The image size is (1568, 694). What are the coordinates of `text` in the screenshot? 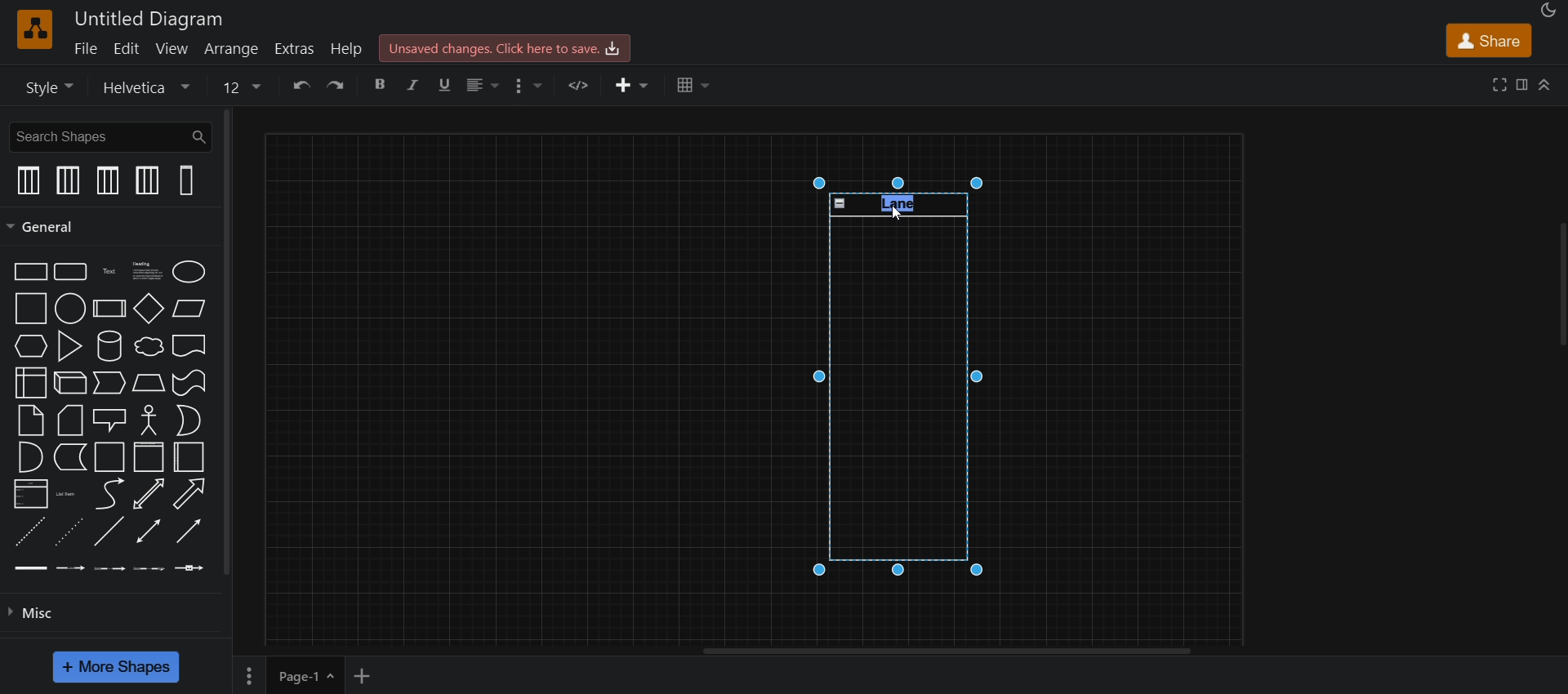 It's located at (902, 202).